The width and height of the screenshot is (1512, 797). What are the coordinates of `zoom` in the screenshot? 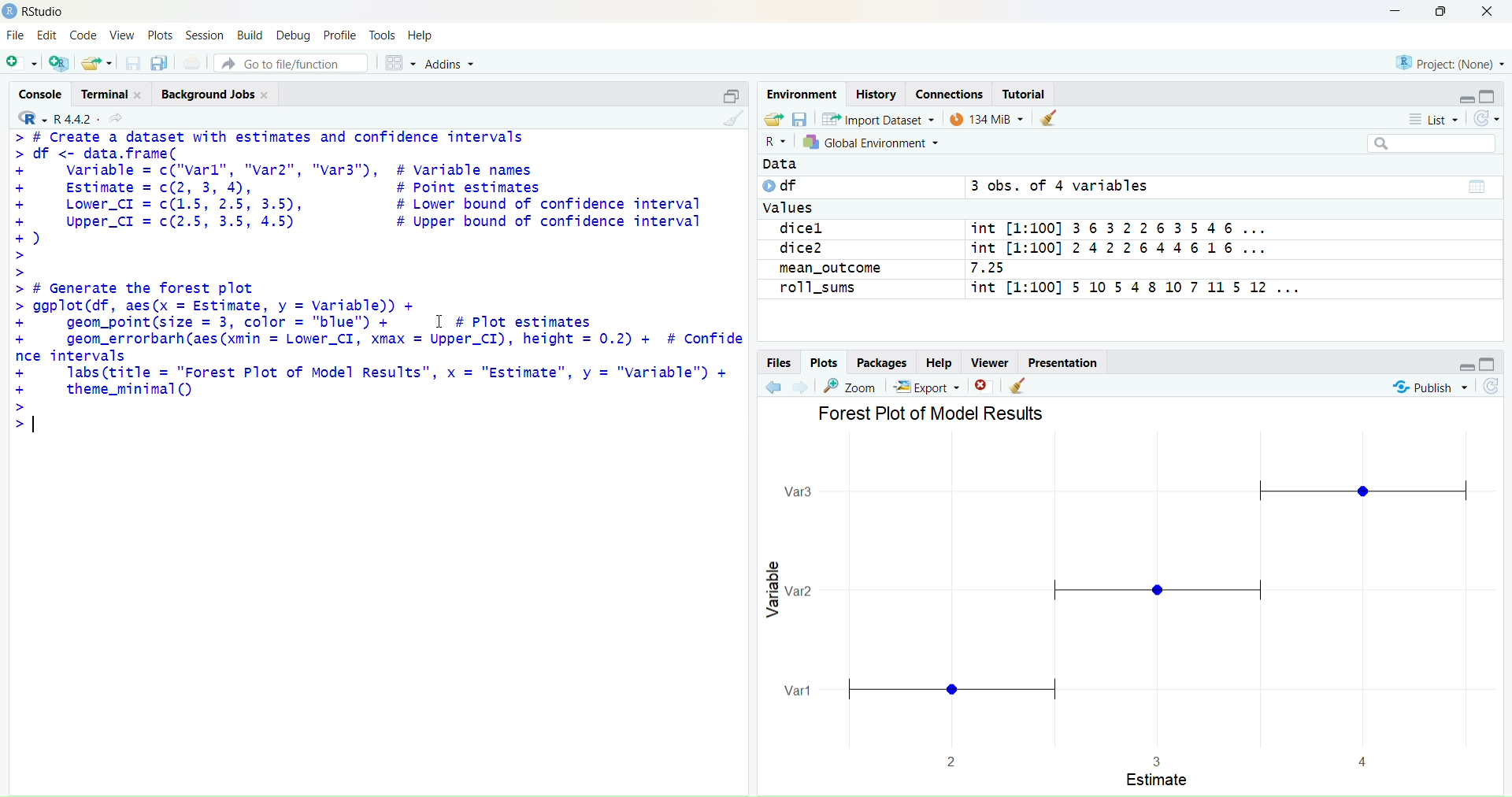 It's located at (849, 387).